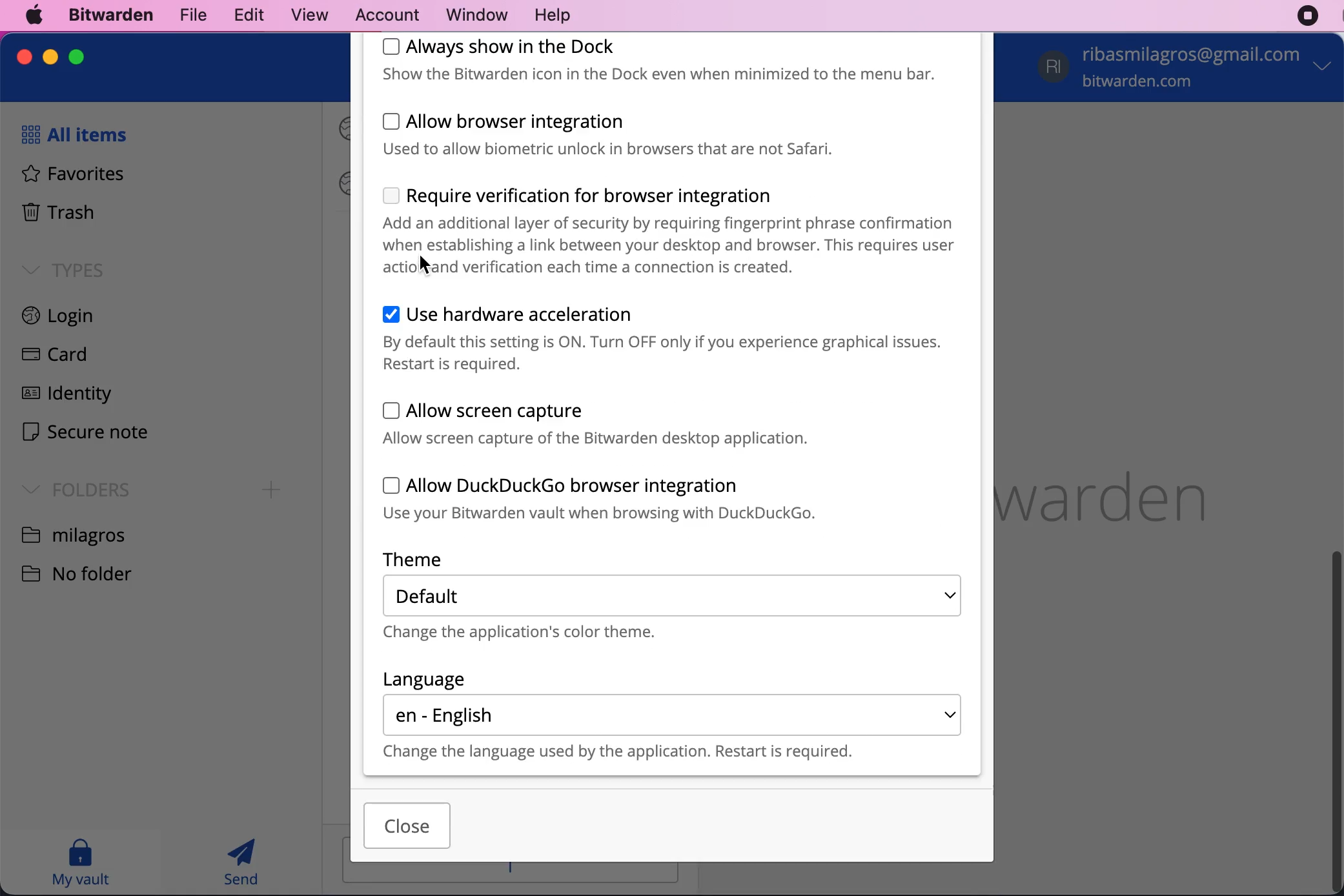 This screenshot has width=1344, height=896. What do you see at coordinates (1308, 16) in the screenshot?
I see `recording stopped` at bounding box center [1308, 16].